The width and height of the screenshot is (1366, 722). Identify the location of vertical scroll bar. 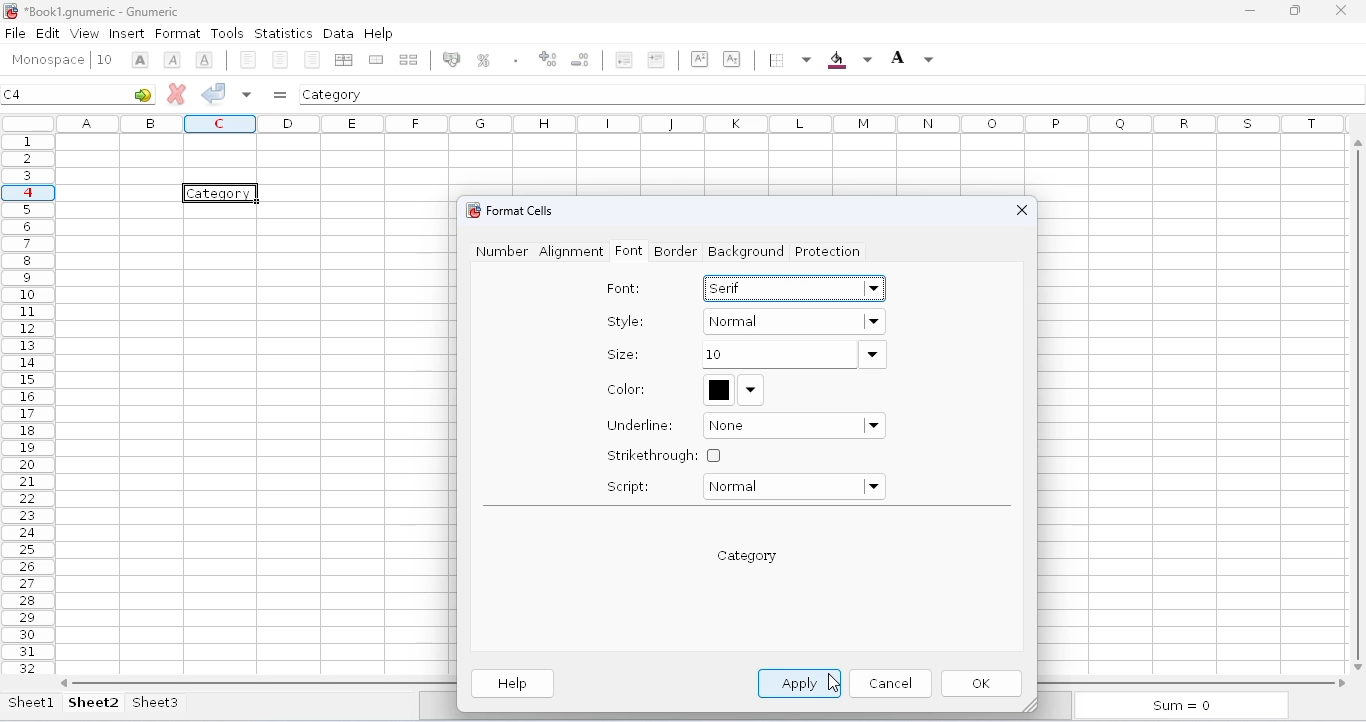
(1361, 402).